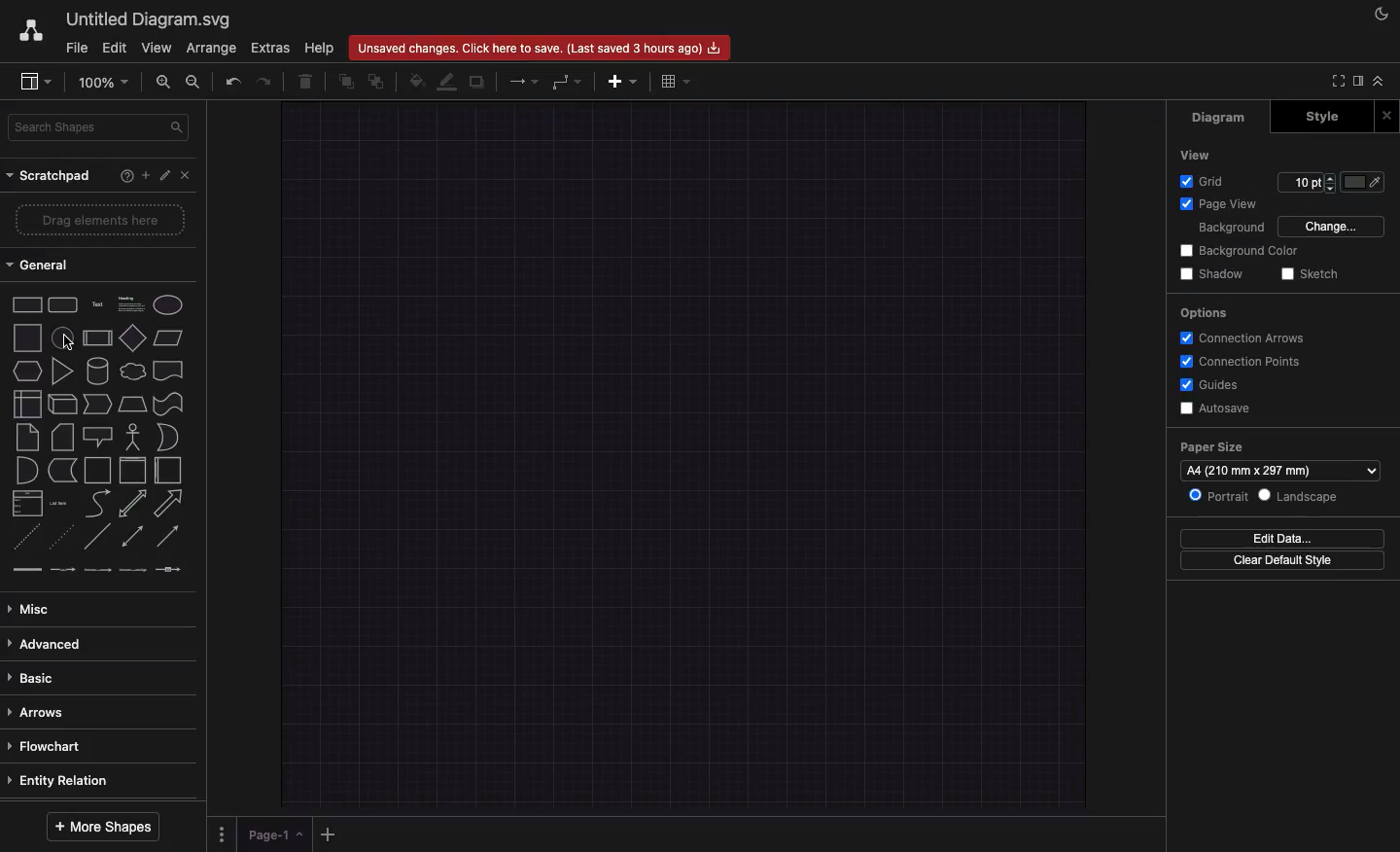 The image size is (1400, 852). Describe the element at coordinates (144, 176) in the screenshot. I see `Add` at that location.